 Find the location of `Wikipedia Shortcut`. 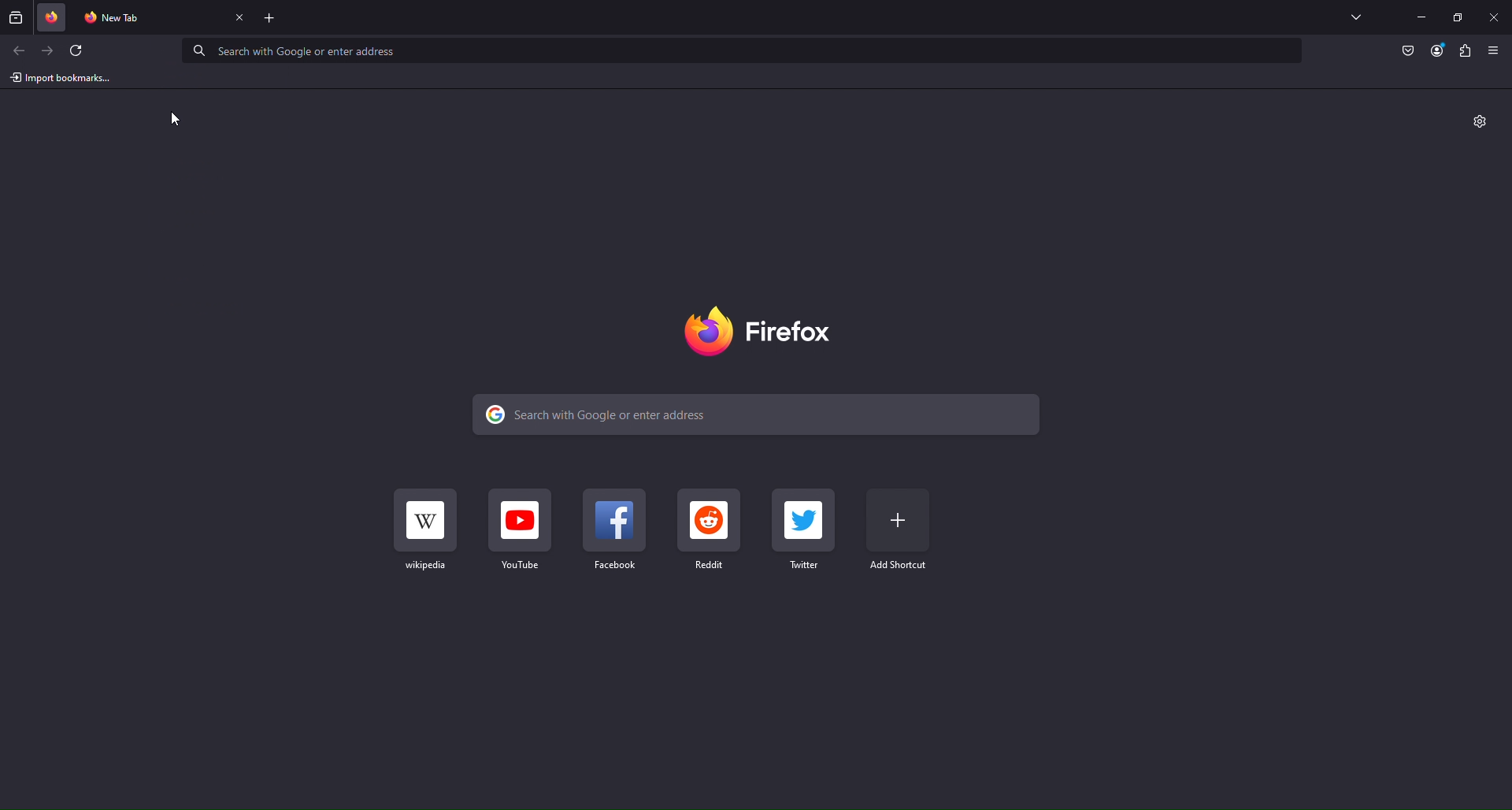

Wikipedia Shortcut is located at coordinates (427, 528).